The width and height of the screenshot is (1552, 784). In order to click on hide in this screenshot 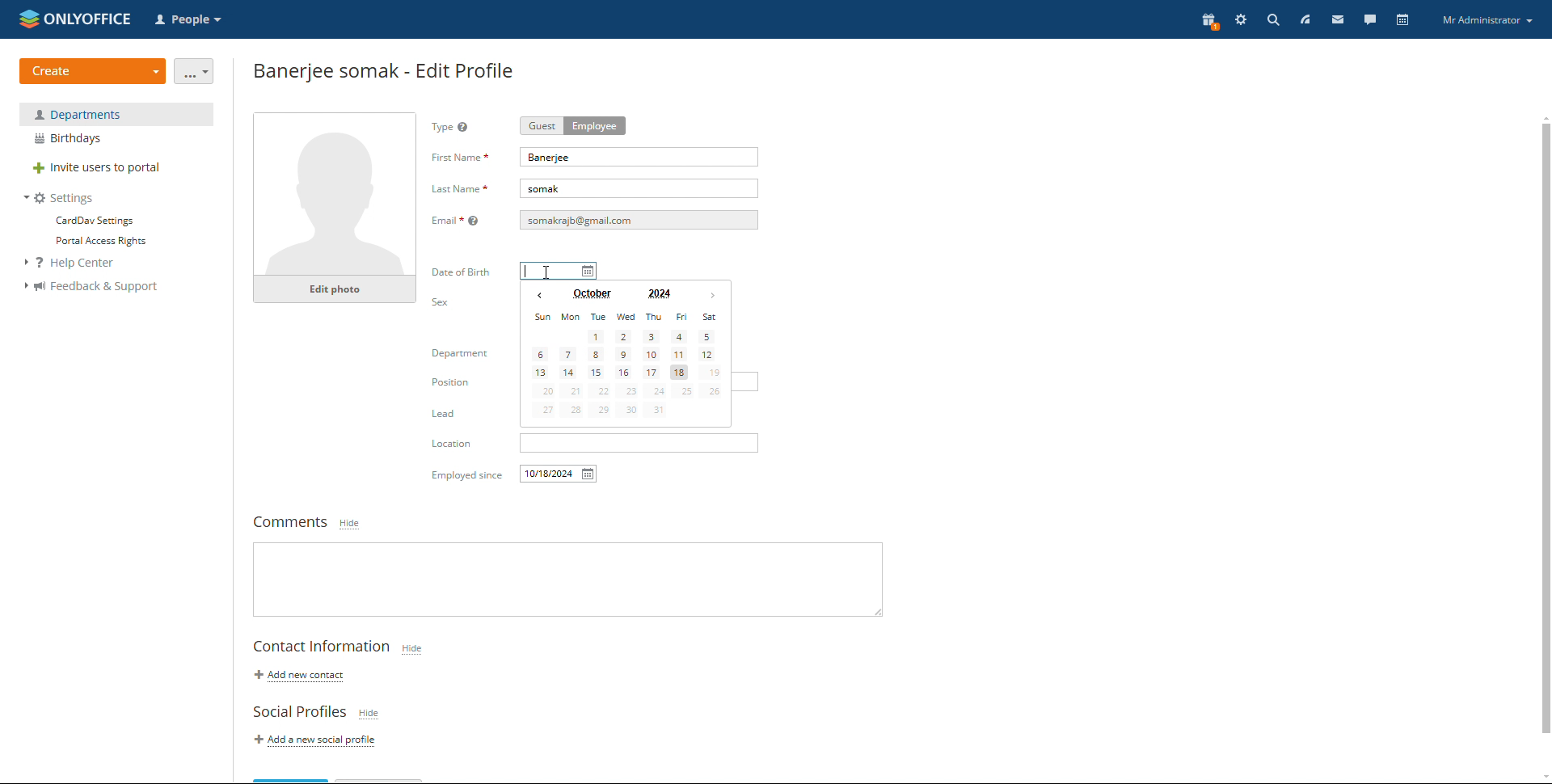, I will do `click(369, 714)`.